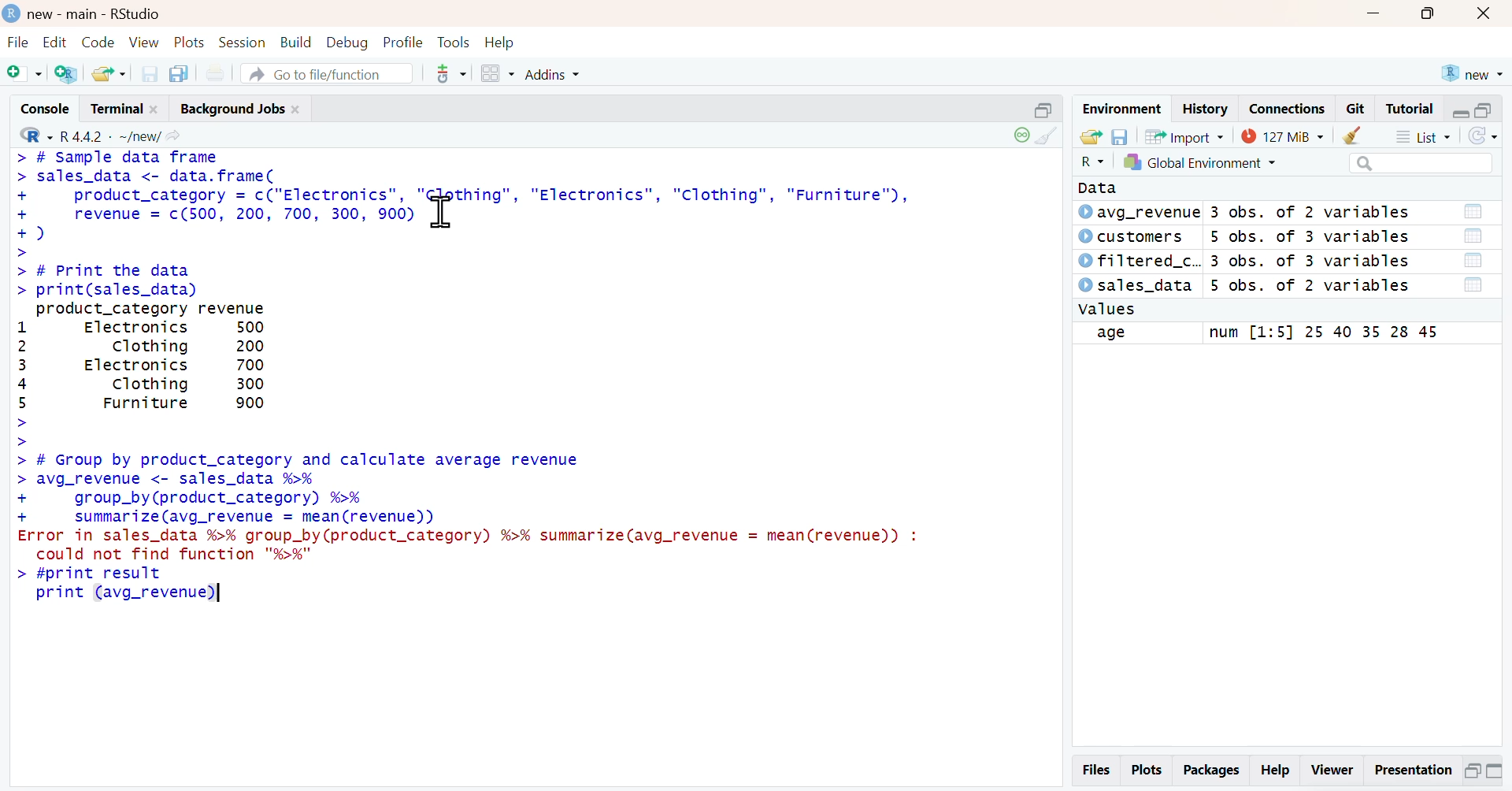 Image resolution: width=1512 pixels, height=791 pixels. I want to click on load workspace, so click(1091, 137).